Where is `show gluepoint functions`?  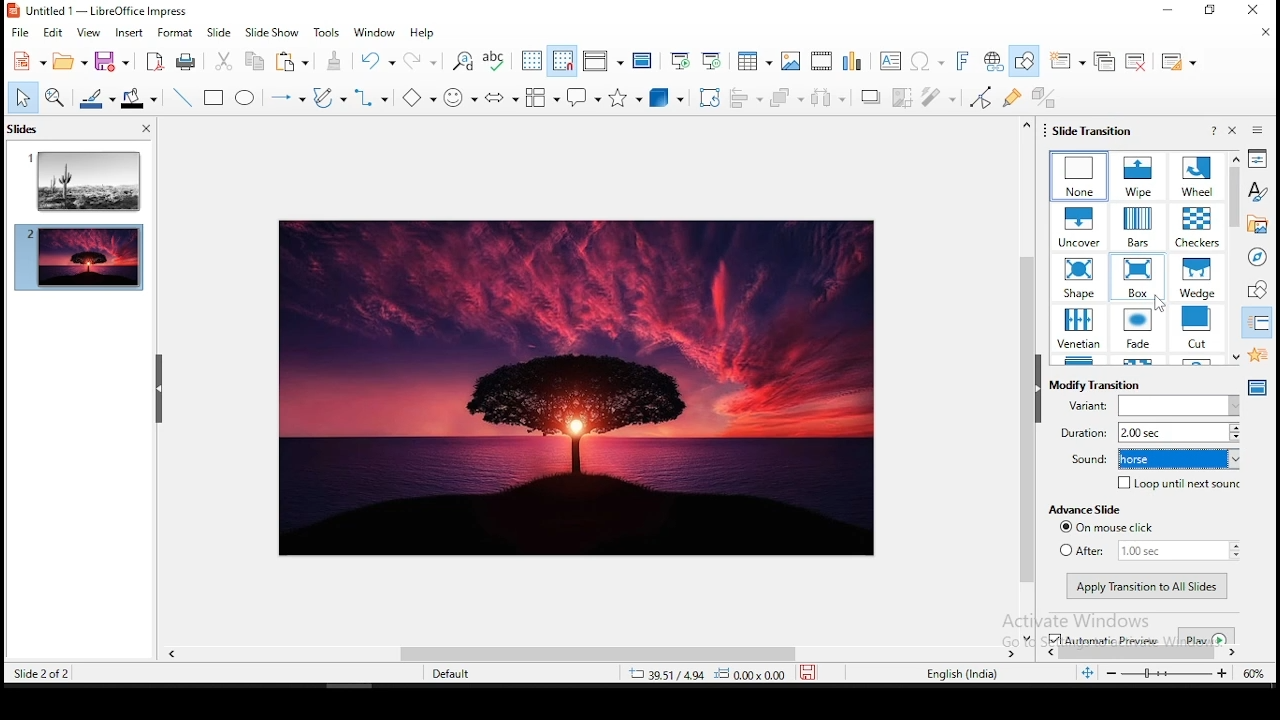 show gluepoint functions is located at coordinates (1011, 96).